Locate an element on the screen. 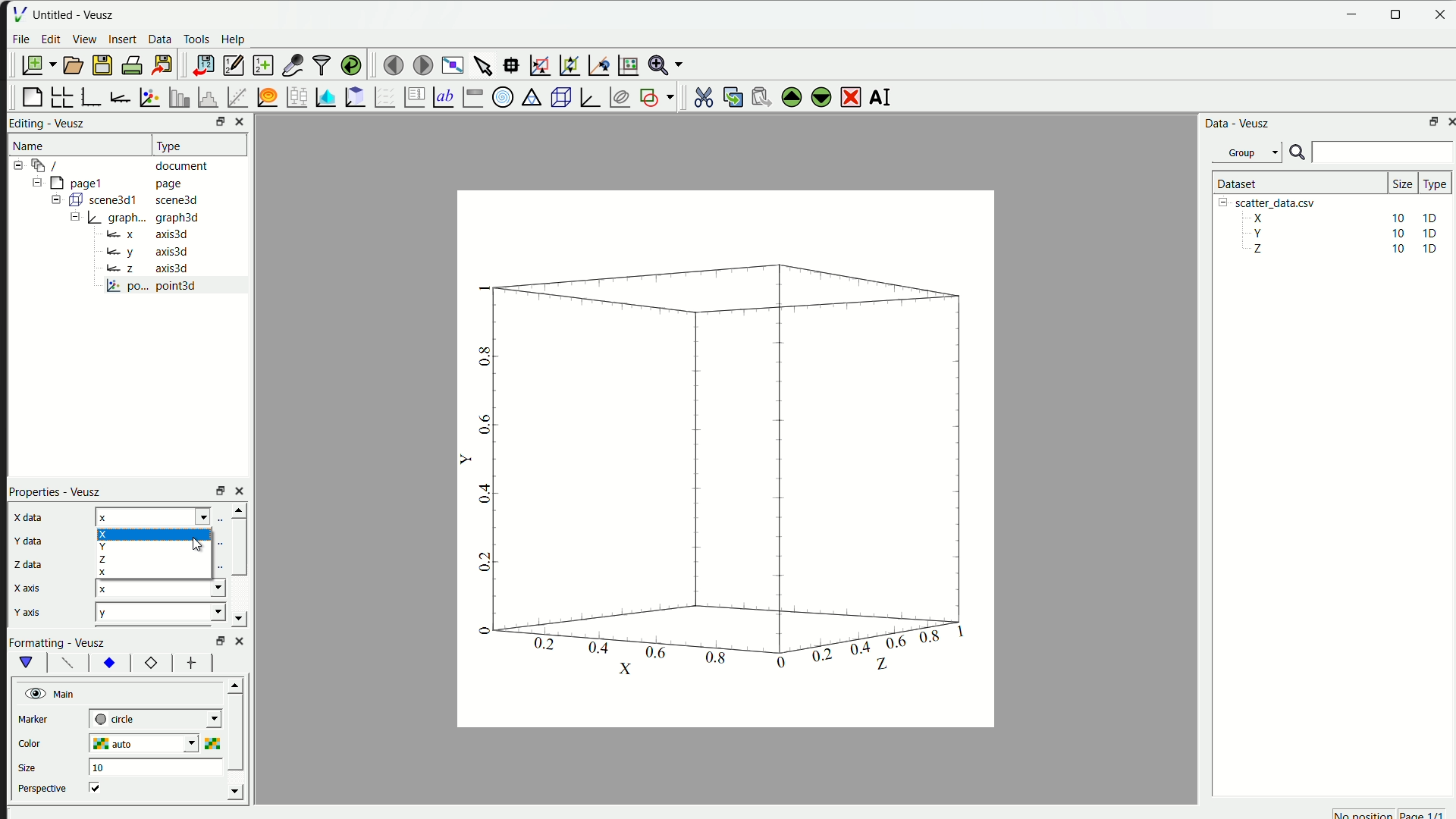 The image size is (1456, 819). view plot full screen is located at coordinates (450, 63).